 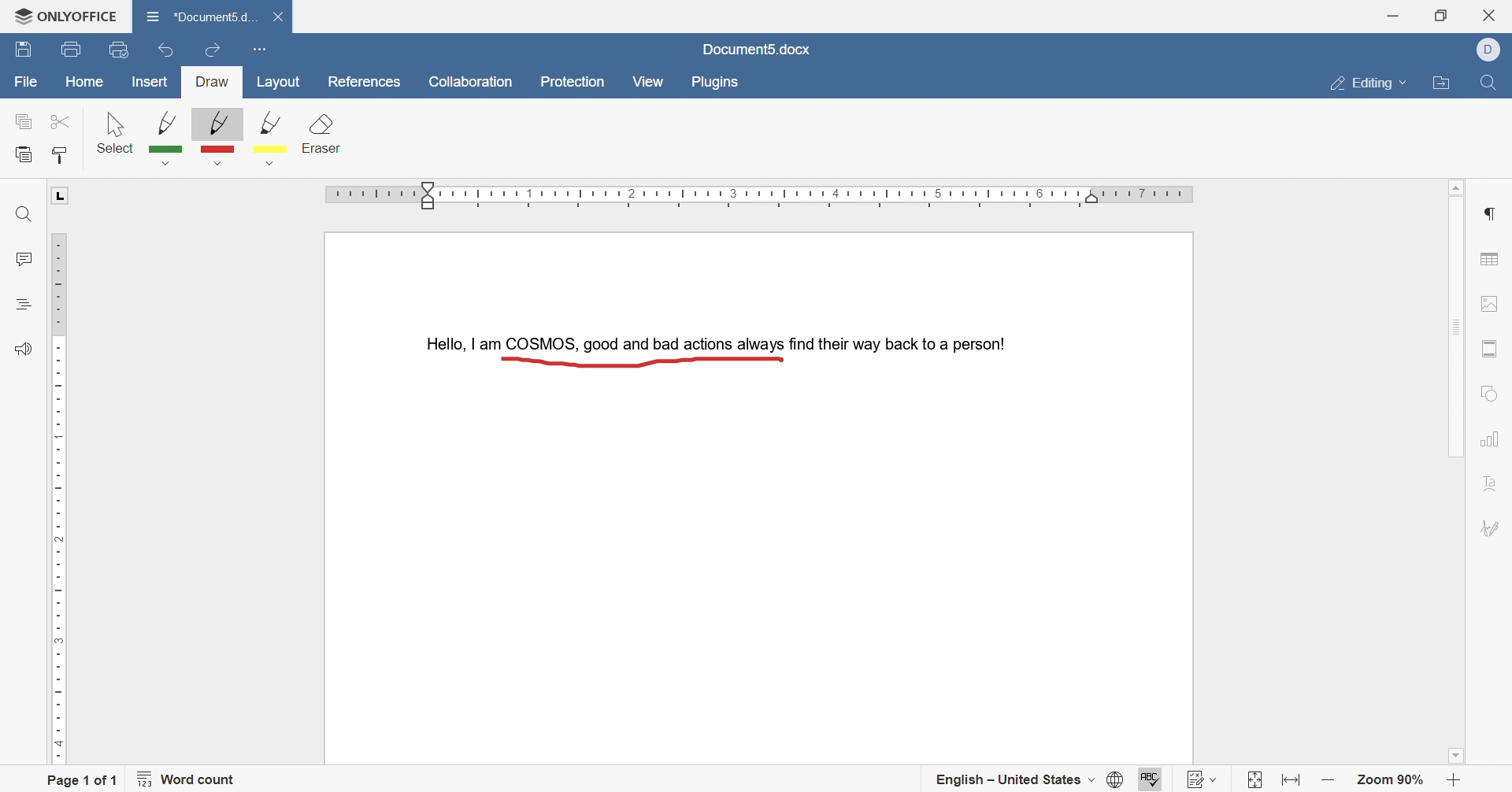 I want to click on copy style, so click(x=62, y=154).